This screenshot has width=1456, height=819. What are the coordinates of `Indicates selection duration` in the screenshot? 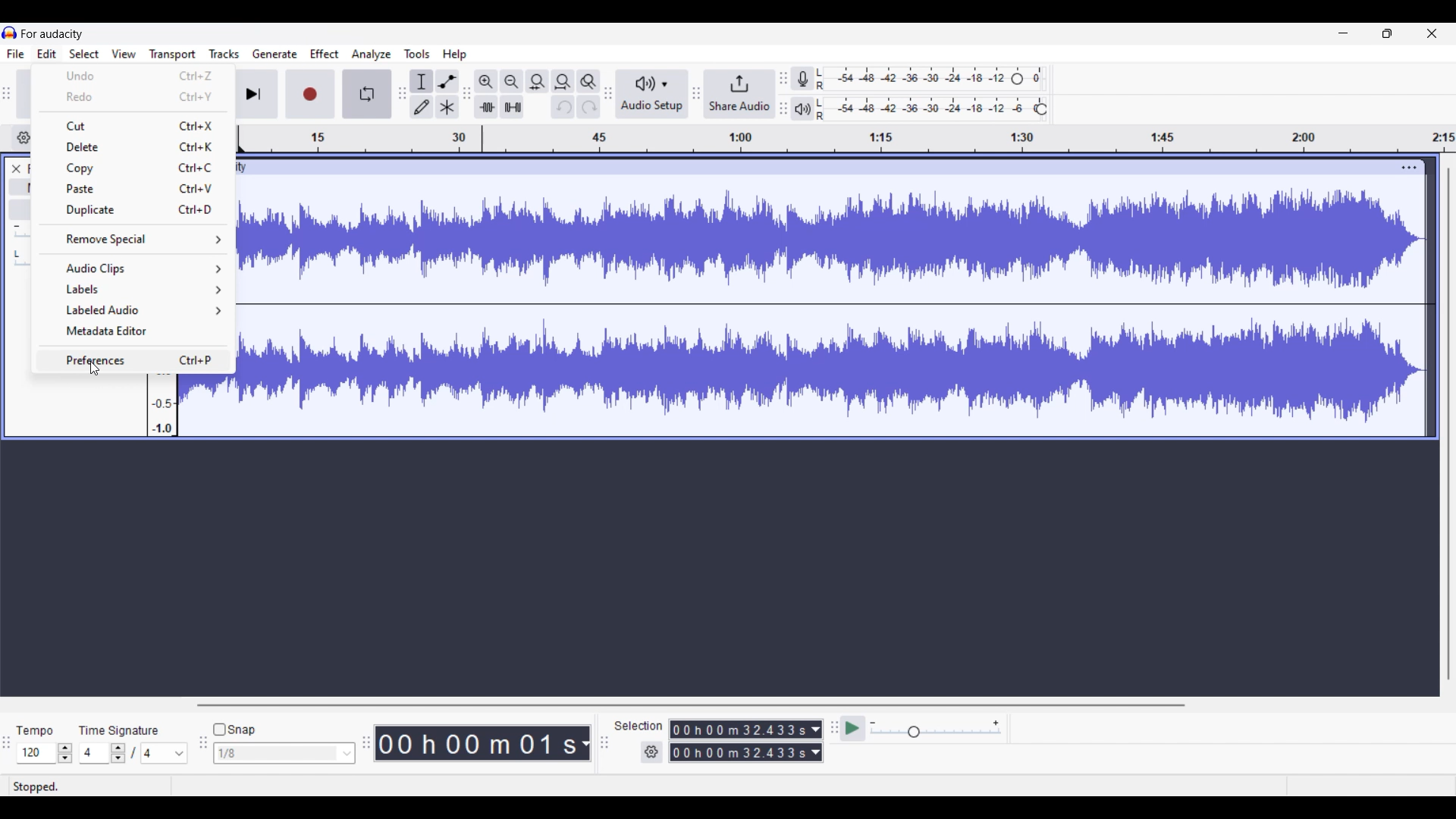 It's located at (639, 726).